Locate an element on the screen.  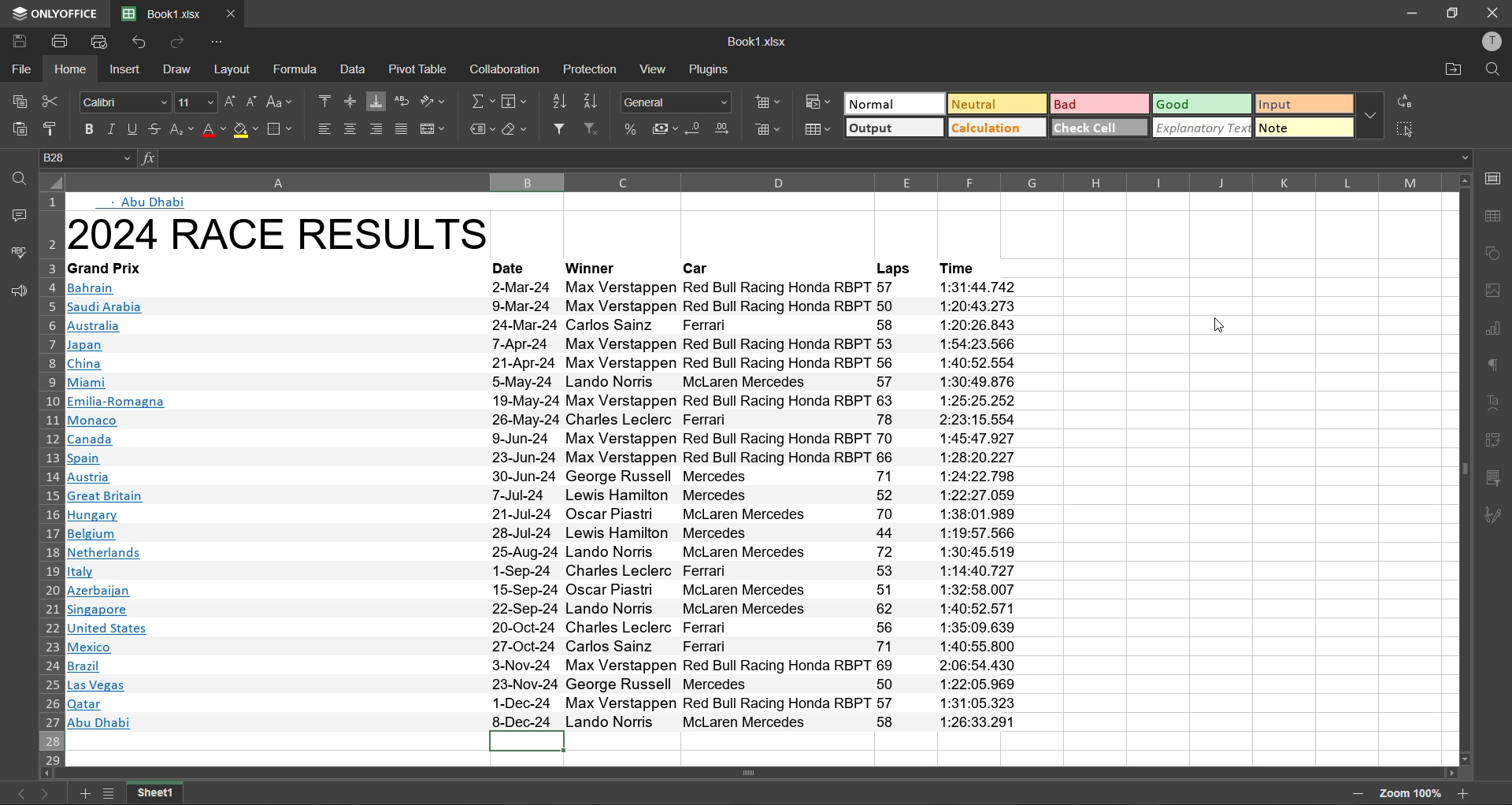
select total sheet is located at coordinates (53, 180).